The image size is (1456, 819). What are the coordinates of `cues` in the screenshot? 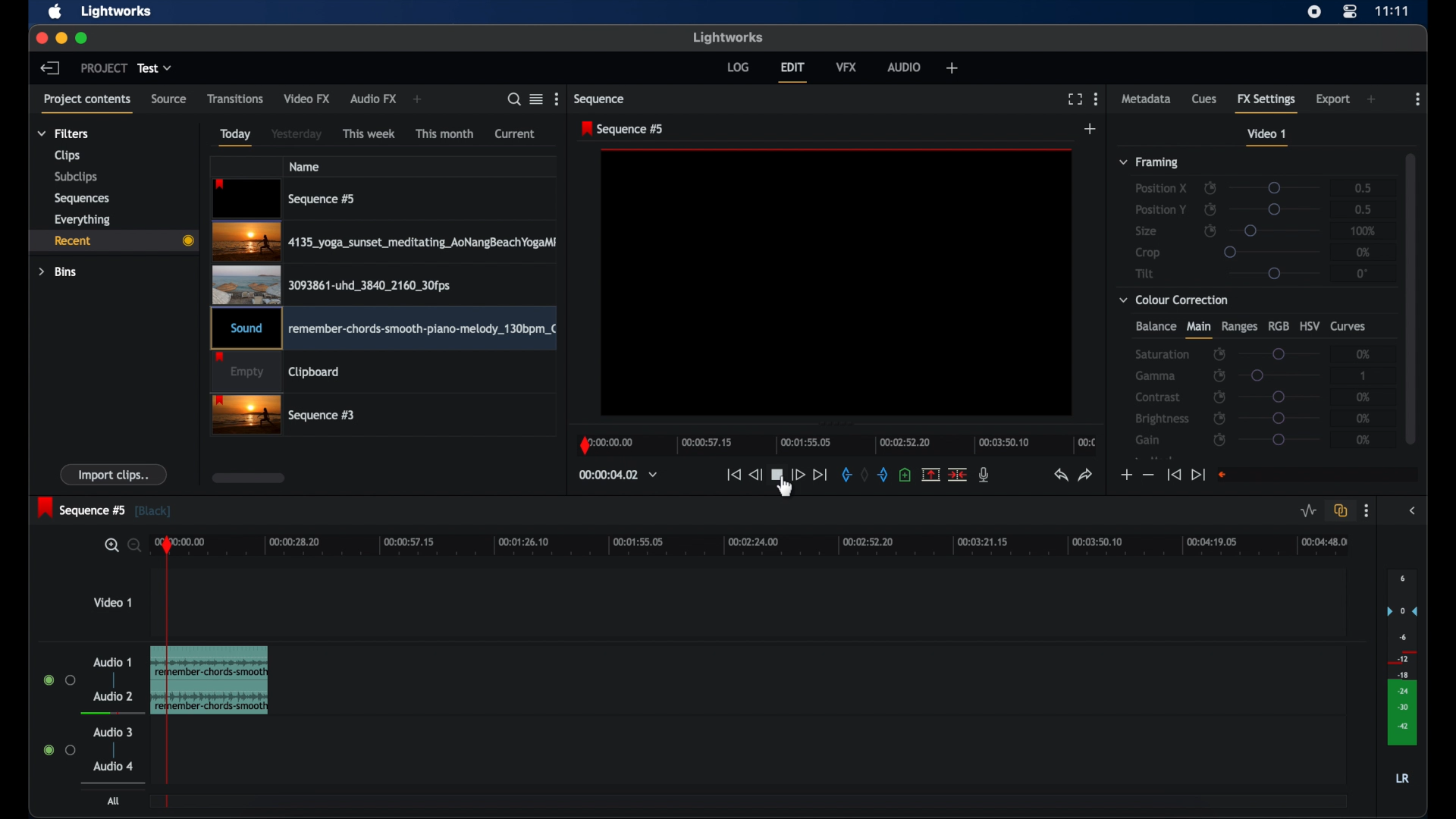 It's located at (1204, 98).